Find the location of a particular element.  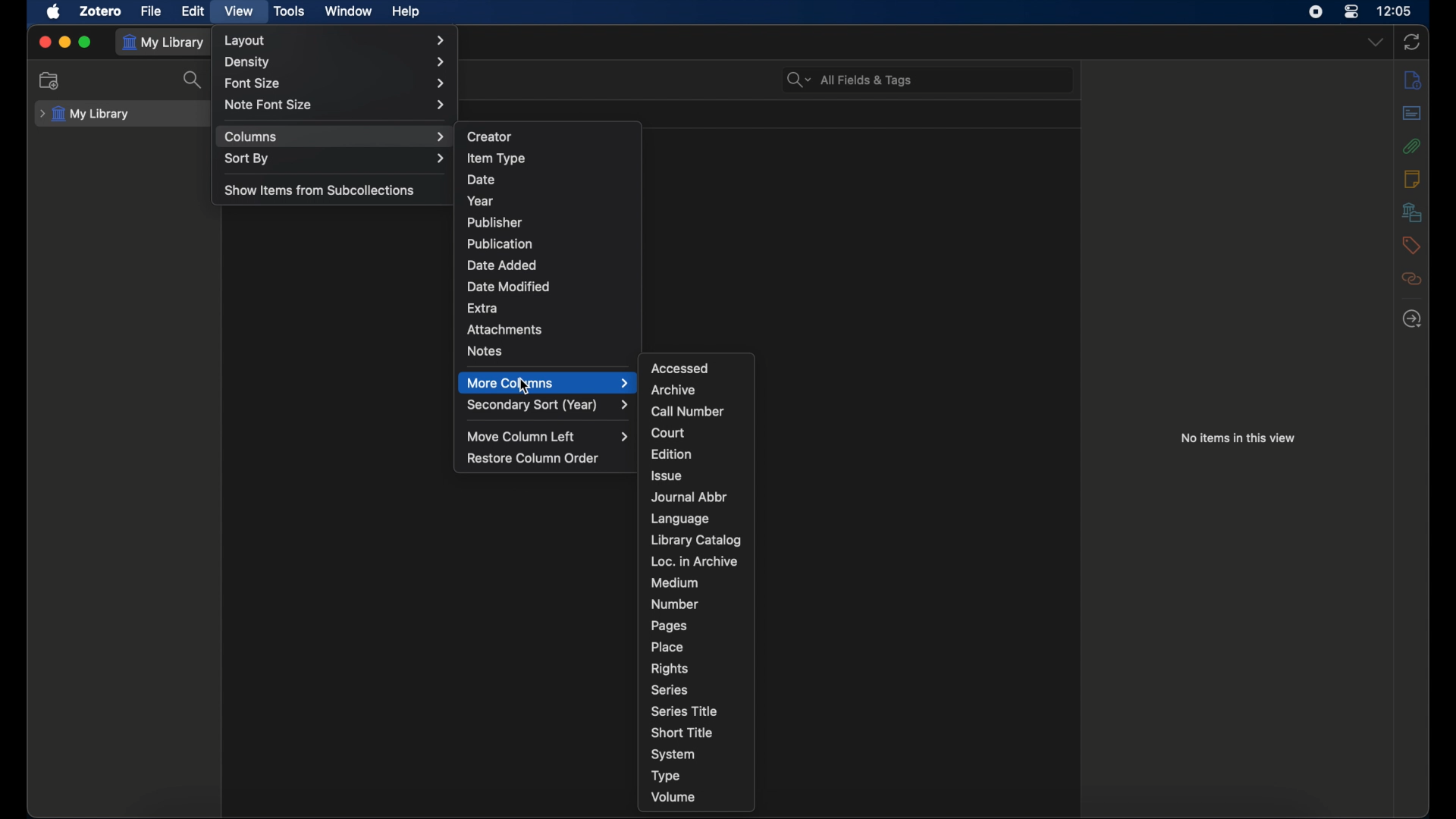

date is located at coordinates (481, 179).